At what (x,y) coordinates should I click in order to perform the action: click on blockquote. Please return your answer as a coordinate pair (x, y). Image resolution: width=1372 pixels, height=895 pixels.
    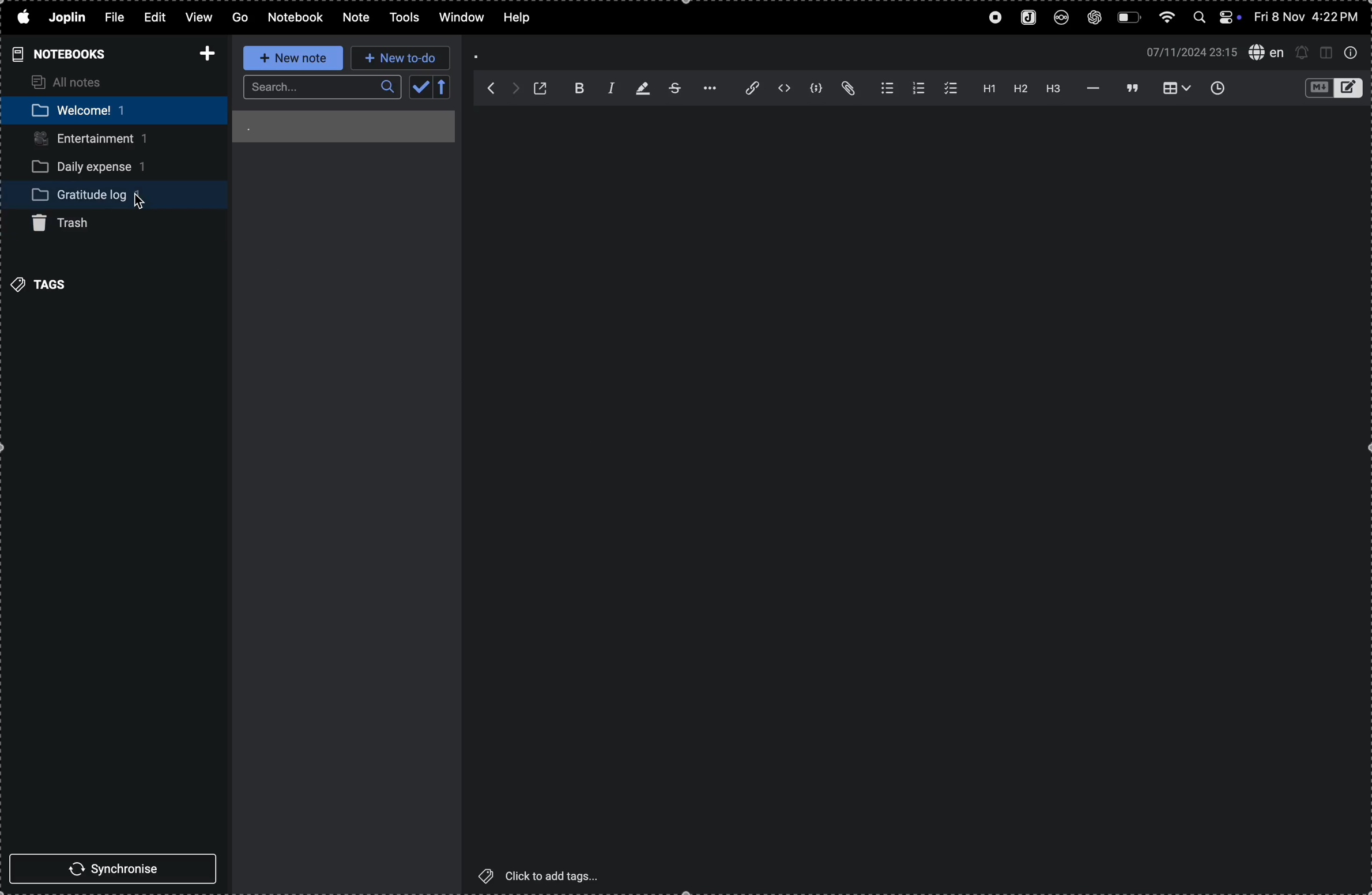
    Looking at the image, I should click on (1130, 88).